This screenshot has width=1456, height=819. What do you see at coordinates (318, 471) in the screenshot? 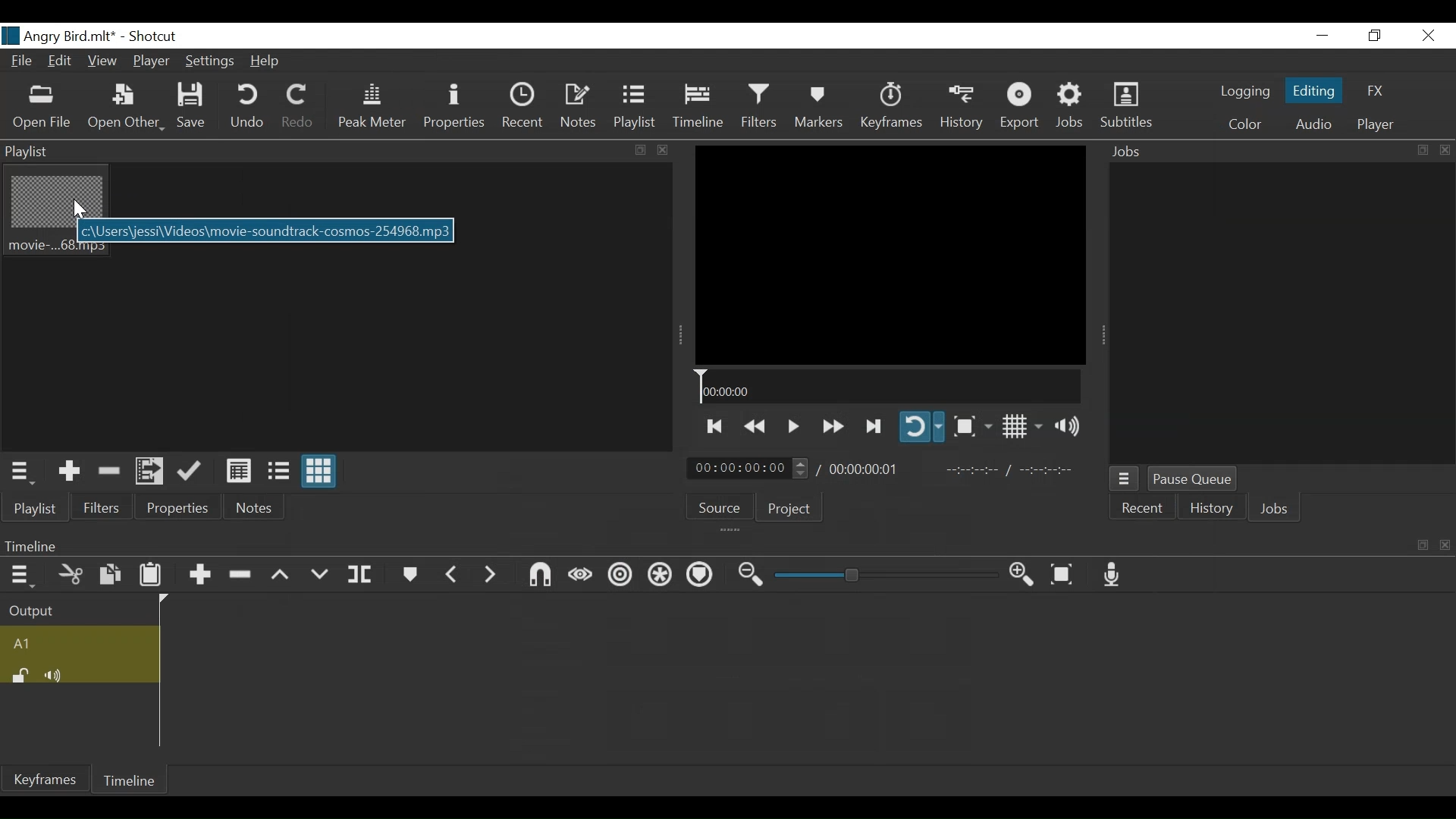
I see `View as icons` at bounding box center [318, 471].